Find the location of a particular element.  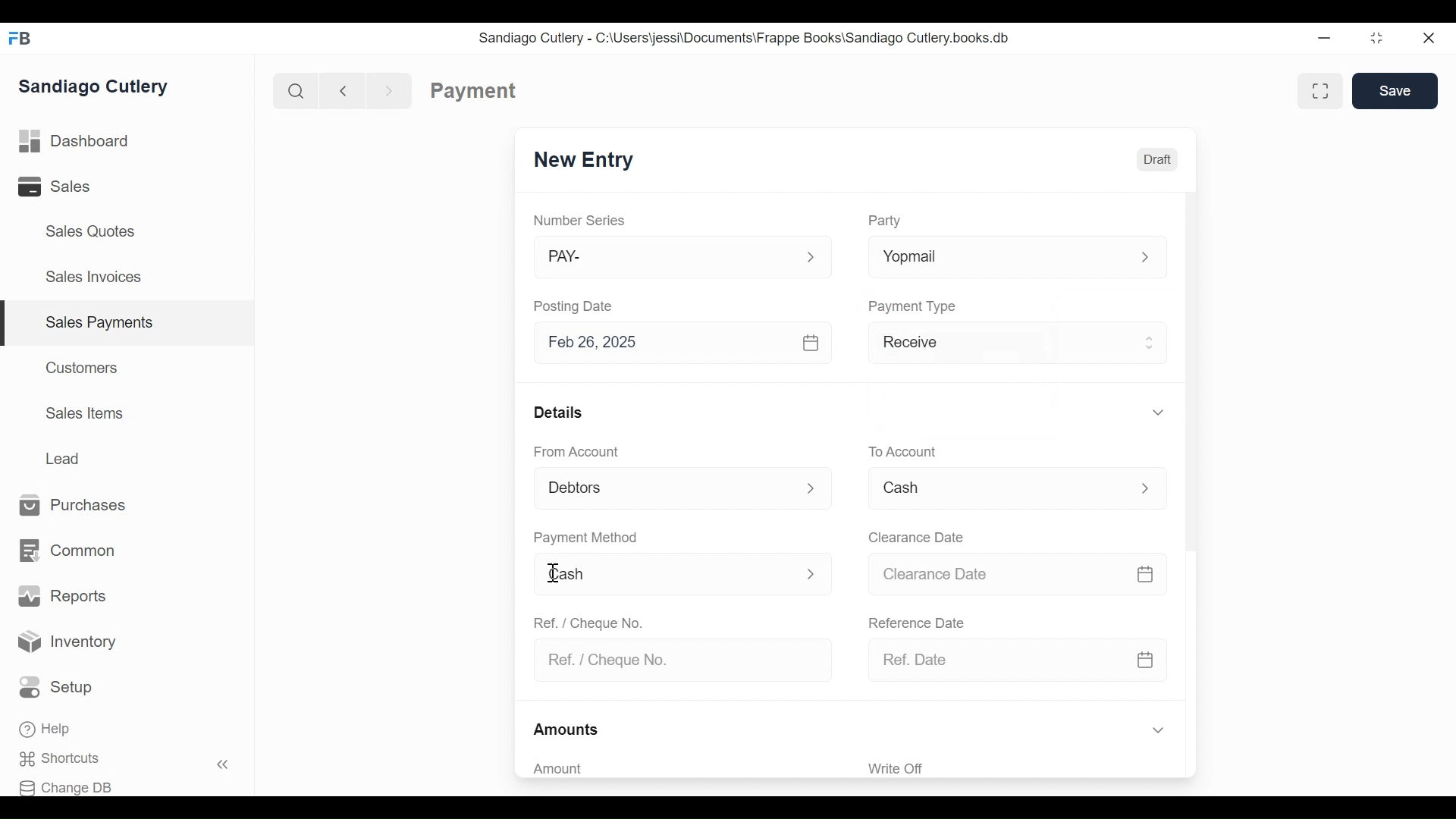

Ref. Date is located at coordinates (993, 660).